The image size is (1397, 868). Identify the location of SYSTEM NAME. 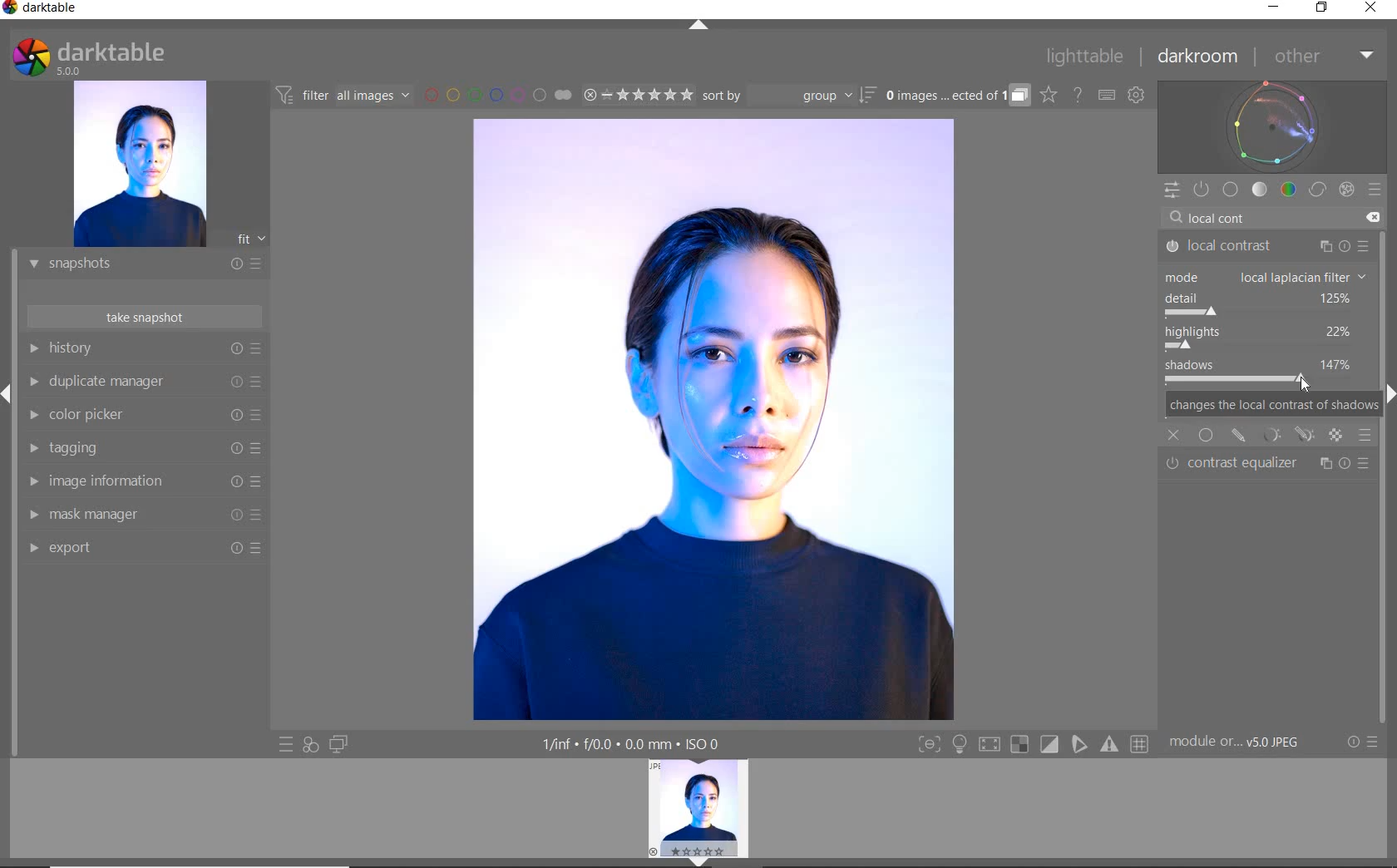
(43, 11).